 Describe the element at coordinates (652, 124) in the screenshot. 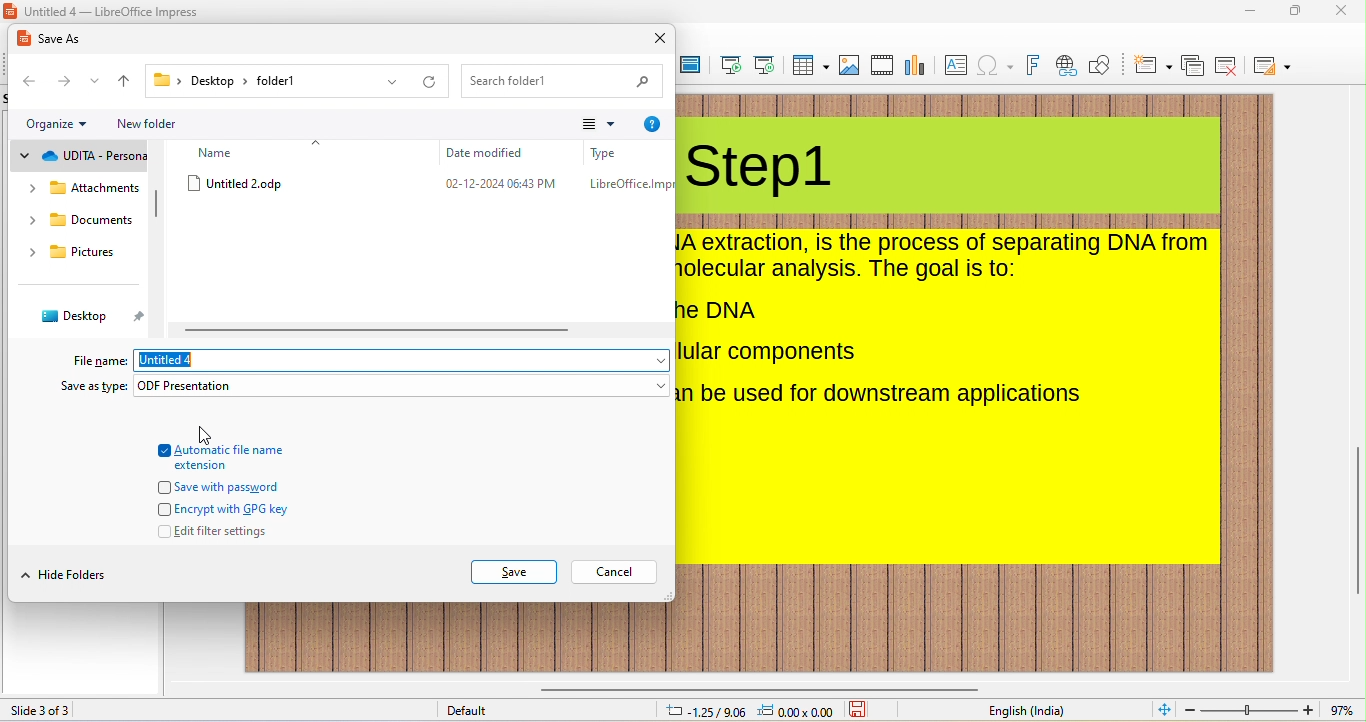

I see `help` at that location.